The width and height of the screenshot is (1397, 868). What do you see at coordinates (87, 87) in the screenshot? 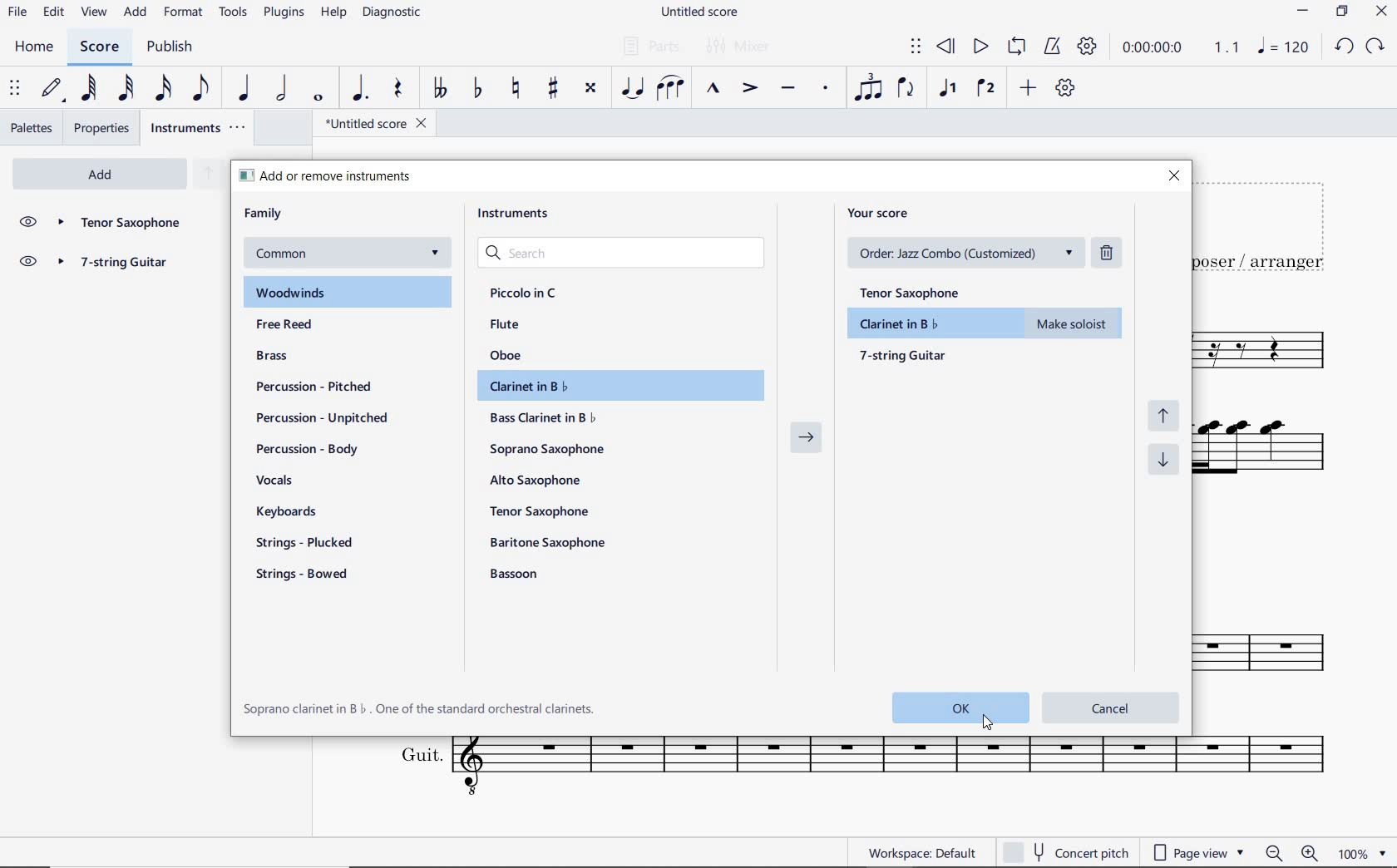
I see `64TH NOTE` at bounding box center [87, 87].